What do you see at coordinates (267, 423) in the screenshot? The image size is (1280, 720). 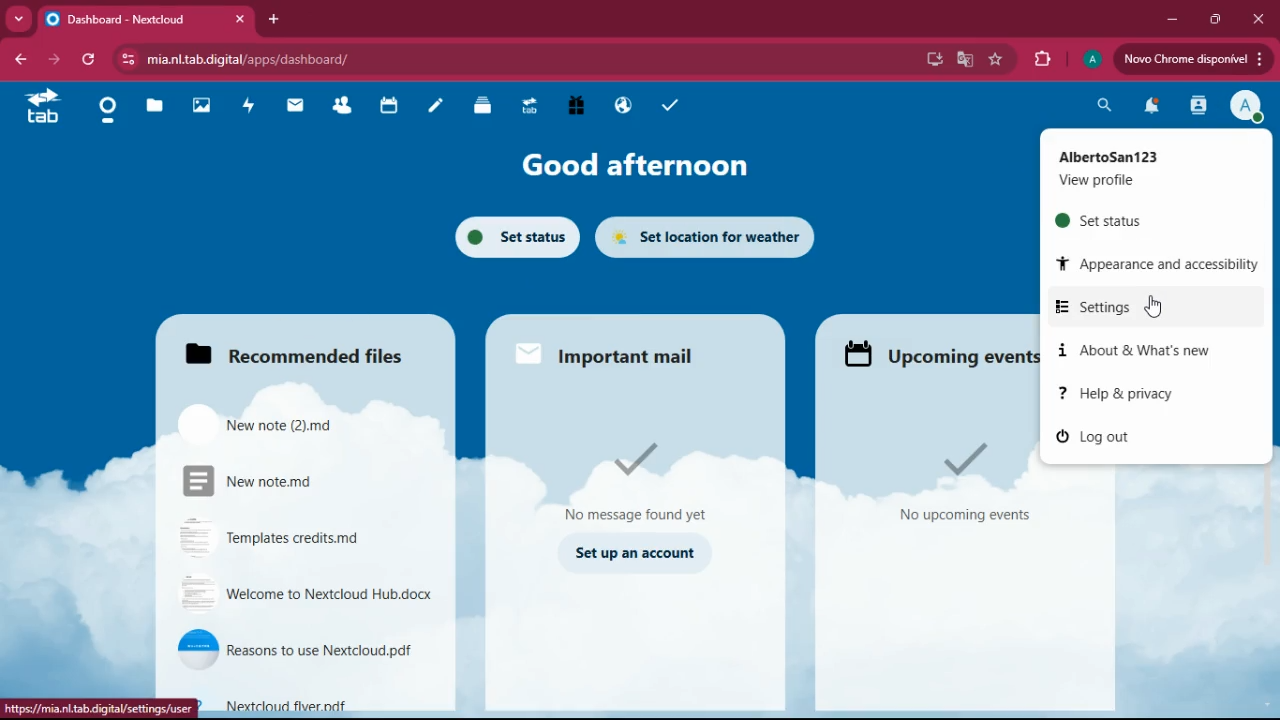 I see `file` at bounding box center [267, 423].